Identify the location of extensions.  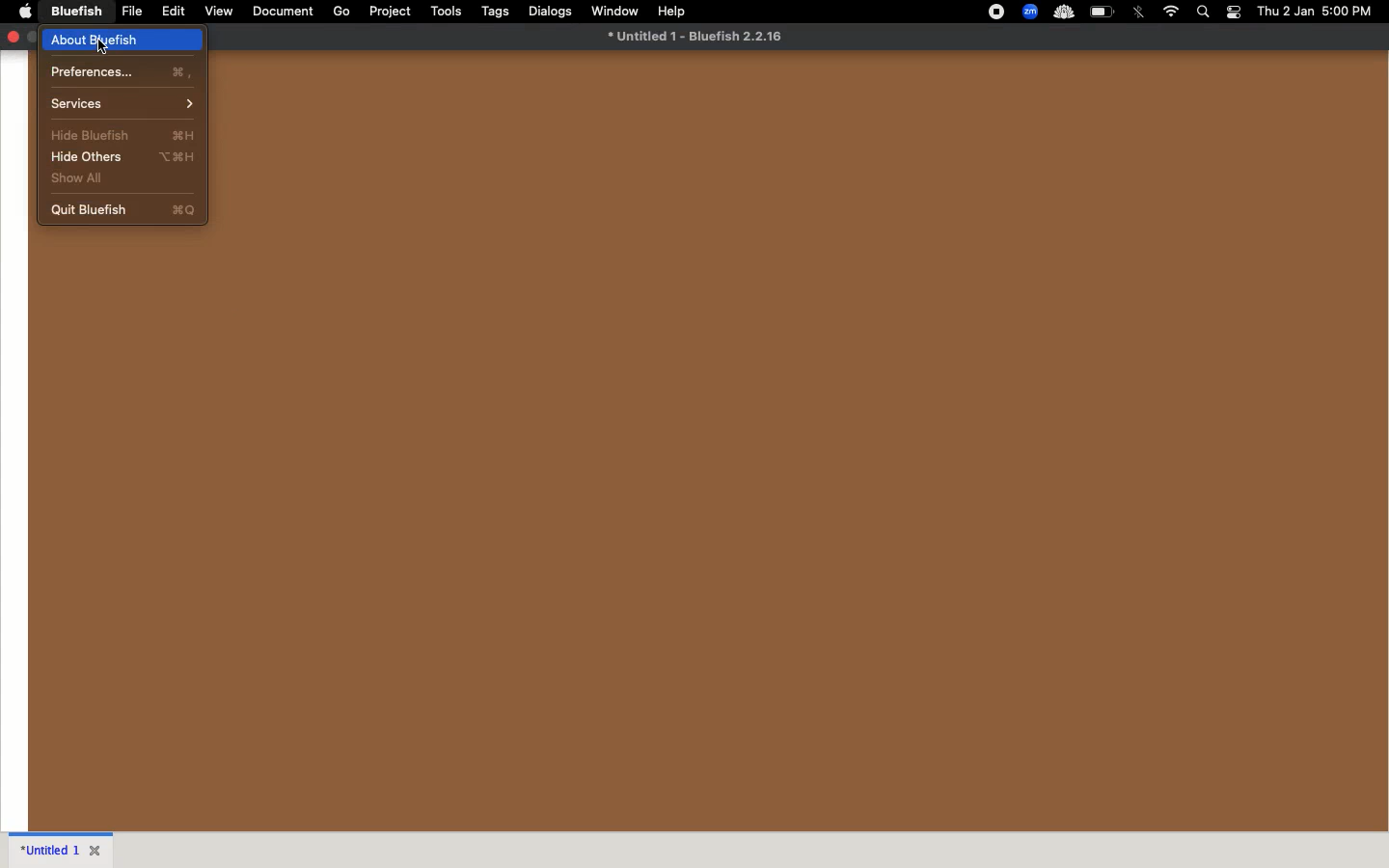
(1032, 14).